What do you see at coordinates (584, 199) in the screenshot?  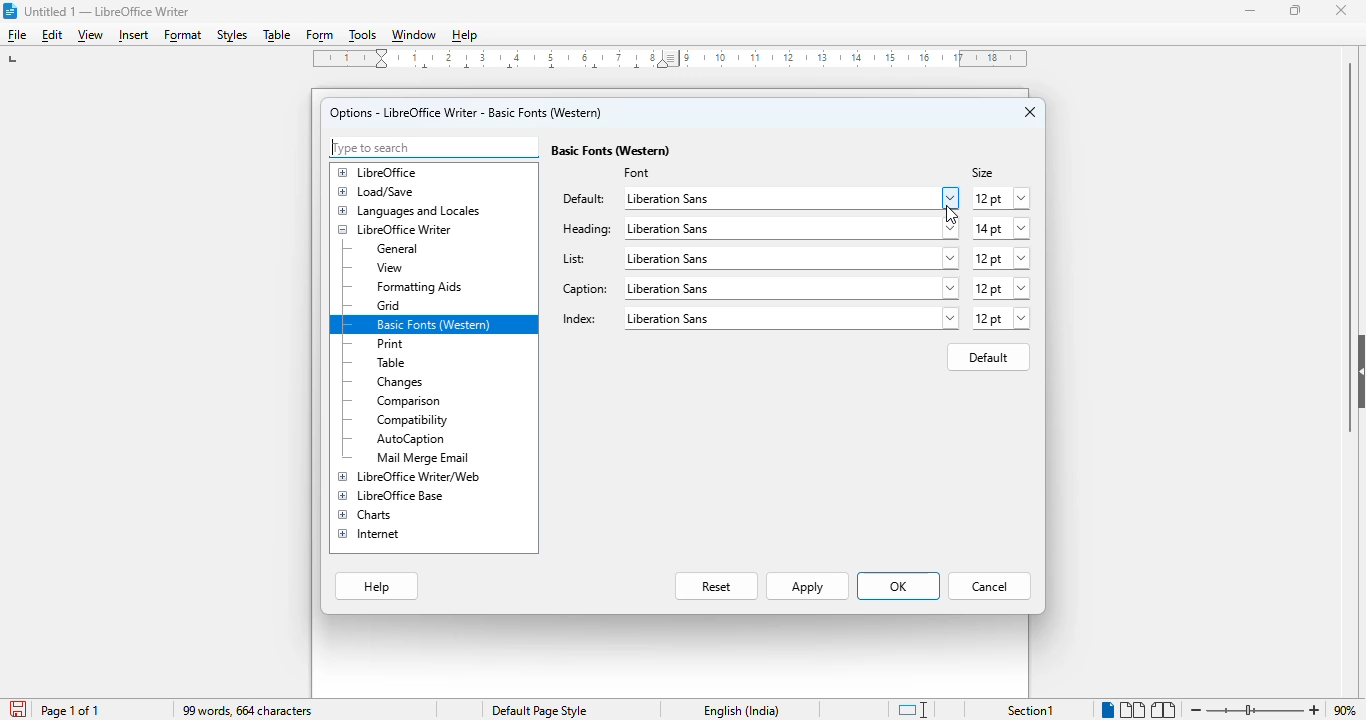 I see `default:` at bounding box center [584, 199].